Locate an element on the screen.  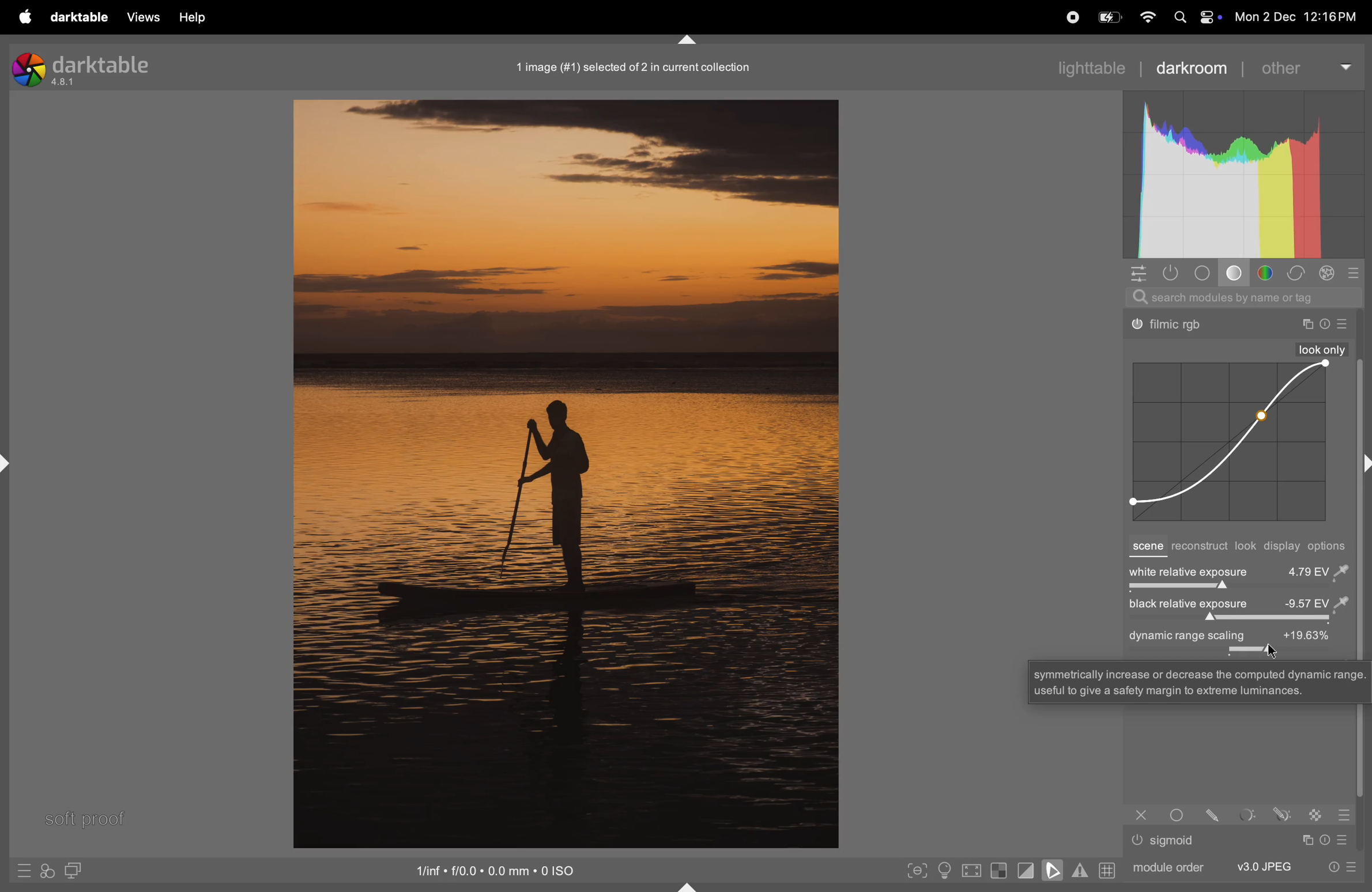
 is located at coordinates (1282, 814).